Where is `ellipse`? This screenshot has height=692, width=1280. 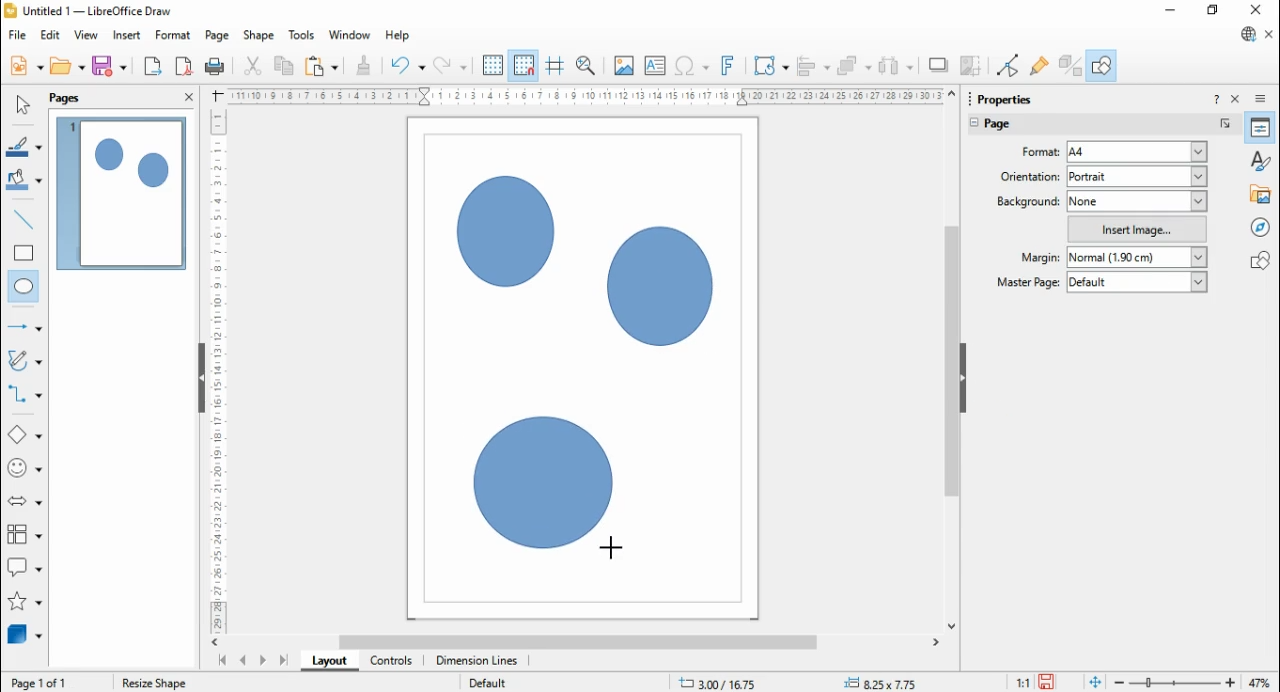 ellipse is located at coordinates (25, 288).